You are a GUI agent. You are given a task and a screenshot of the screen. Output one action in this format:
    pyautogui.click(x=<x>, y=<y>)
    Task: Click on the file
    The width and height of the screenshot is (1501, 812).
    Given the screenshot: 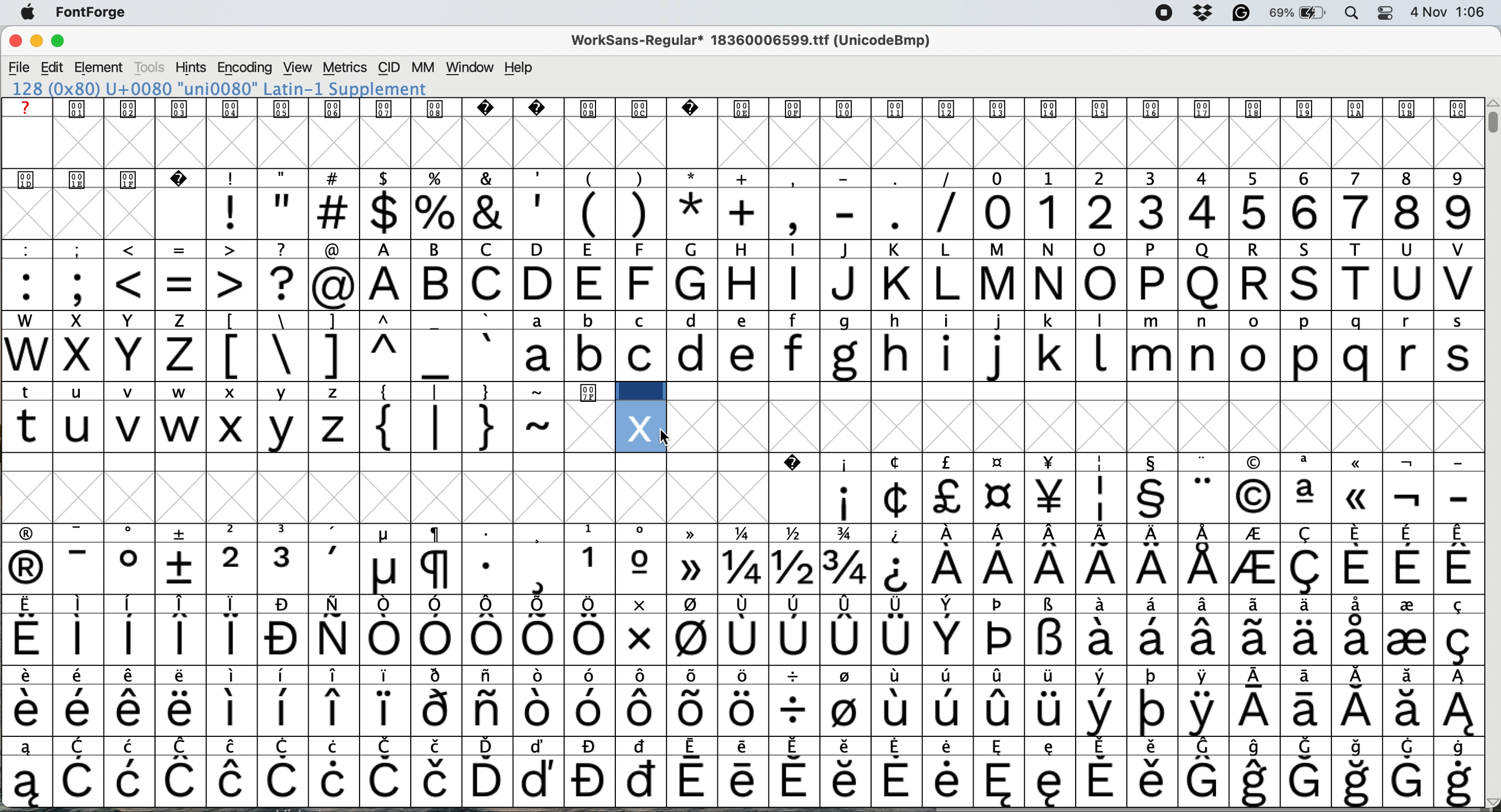 What is the action you would take?
    pyautogui.click(x=19, y=66)
    